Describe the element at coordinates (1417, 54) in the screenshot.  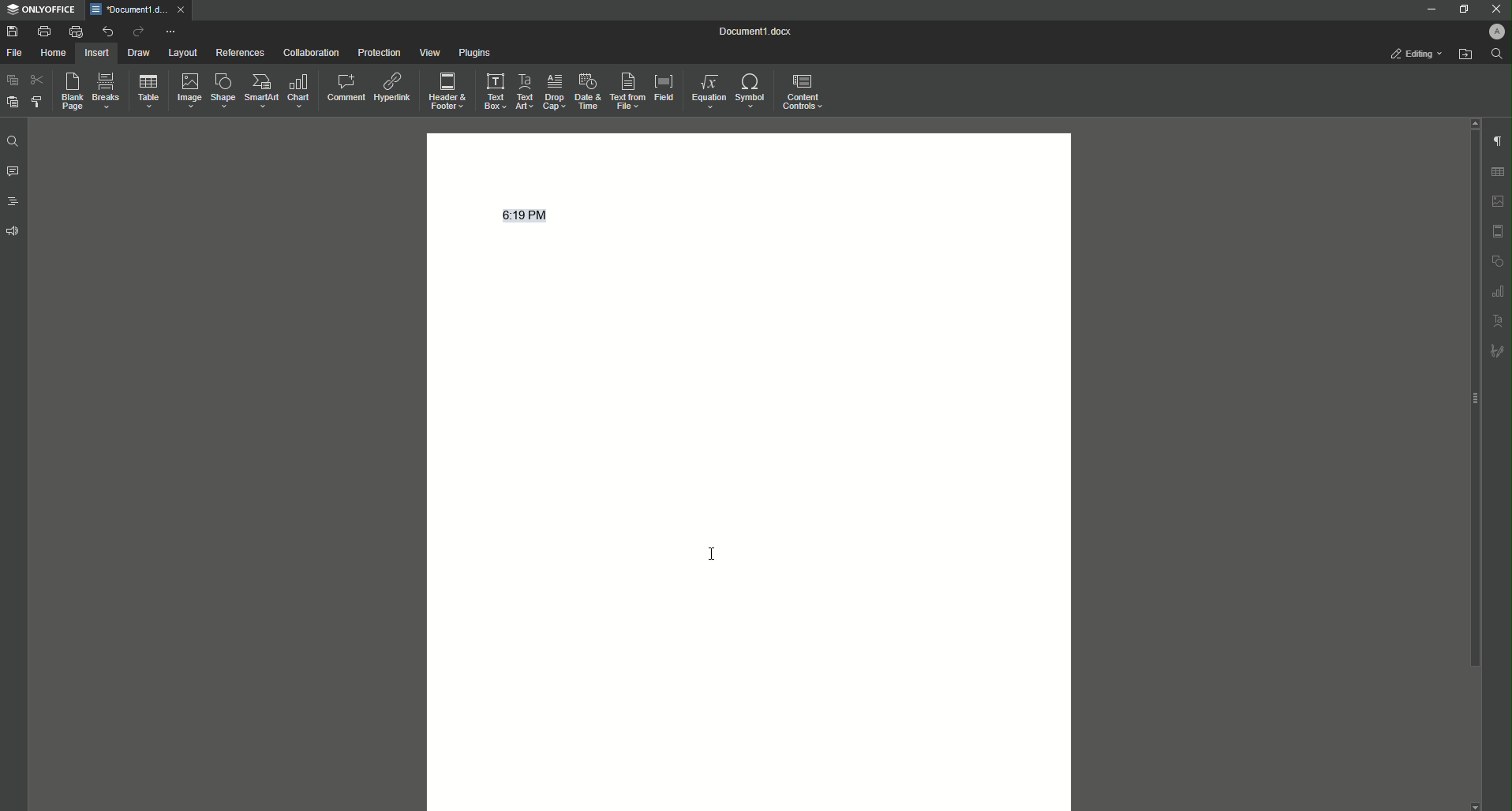
I see `Editing` at that location.